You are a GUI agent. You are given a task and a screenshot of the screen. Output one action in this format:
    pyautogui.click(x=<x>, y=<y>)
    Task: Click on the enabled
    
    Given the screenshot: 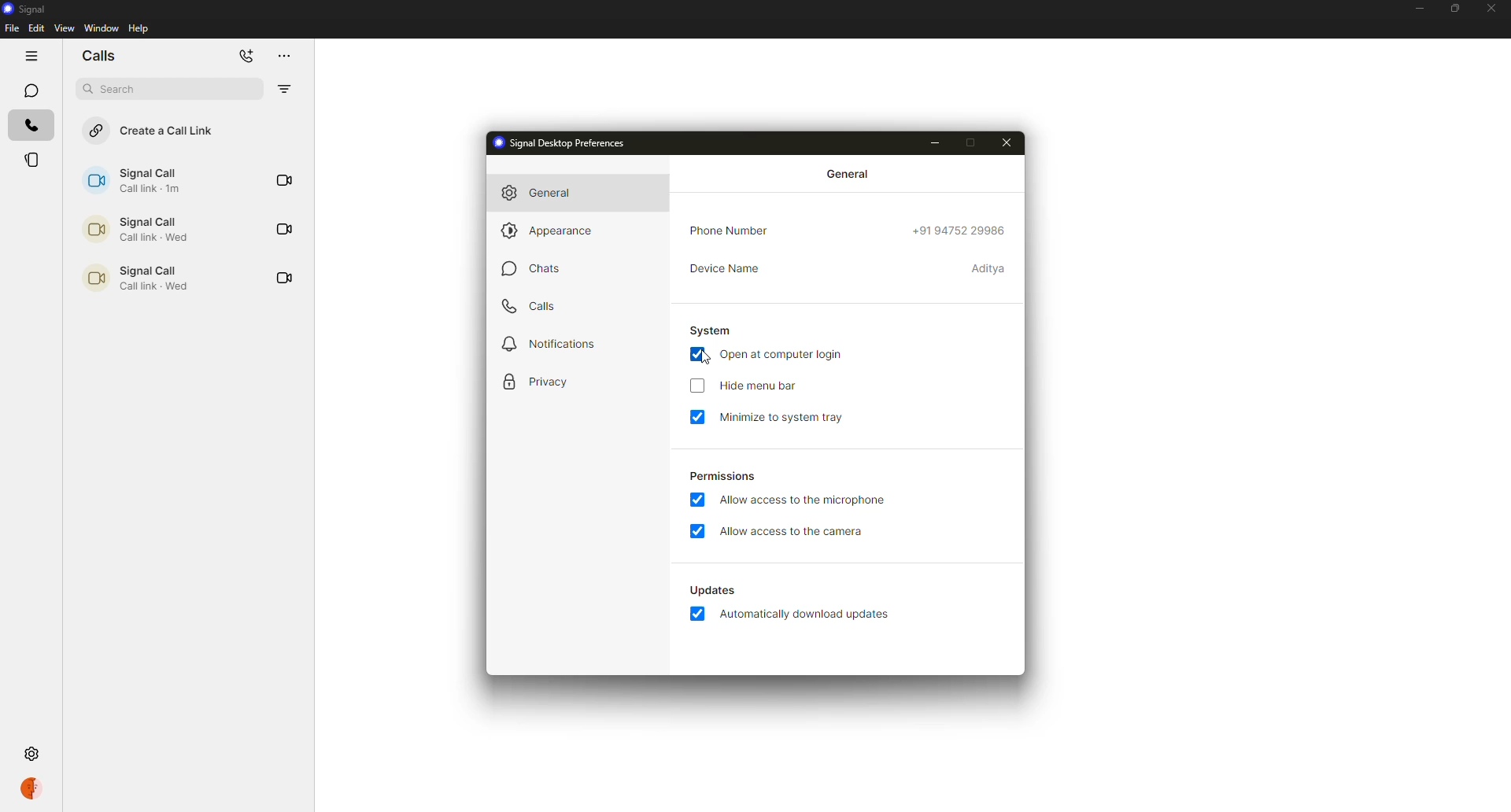 What is the action you would take?
    pyautogui.click(x=699, y=416)
    